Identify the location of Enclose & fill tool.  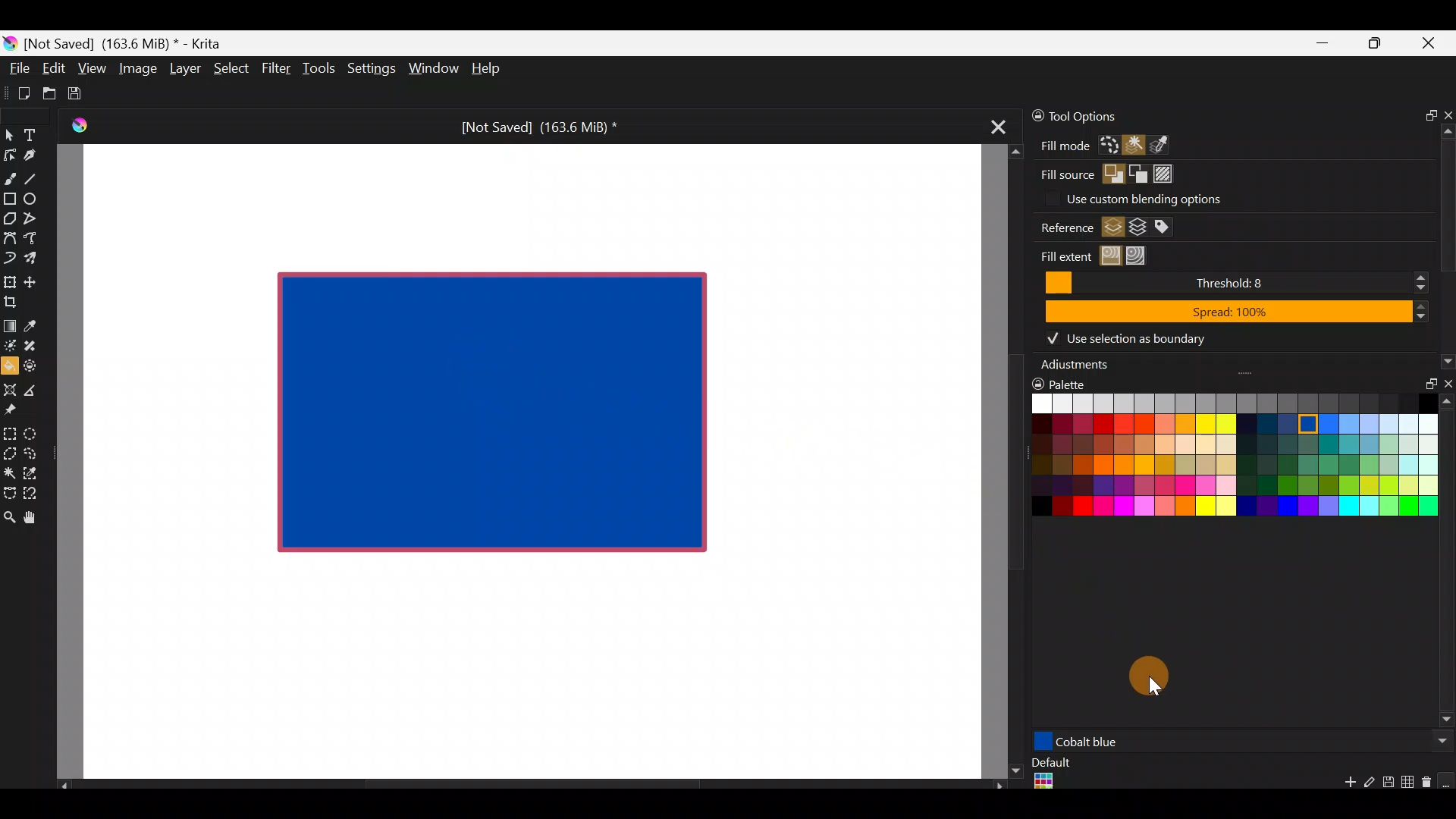
(36, 366).